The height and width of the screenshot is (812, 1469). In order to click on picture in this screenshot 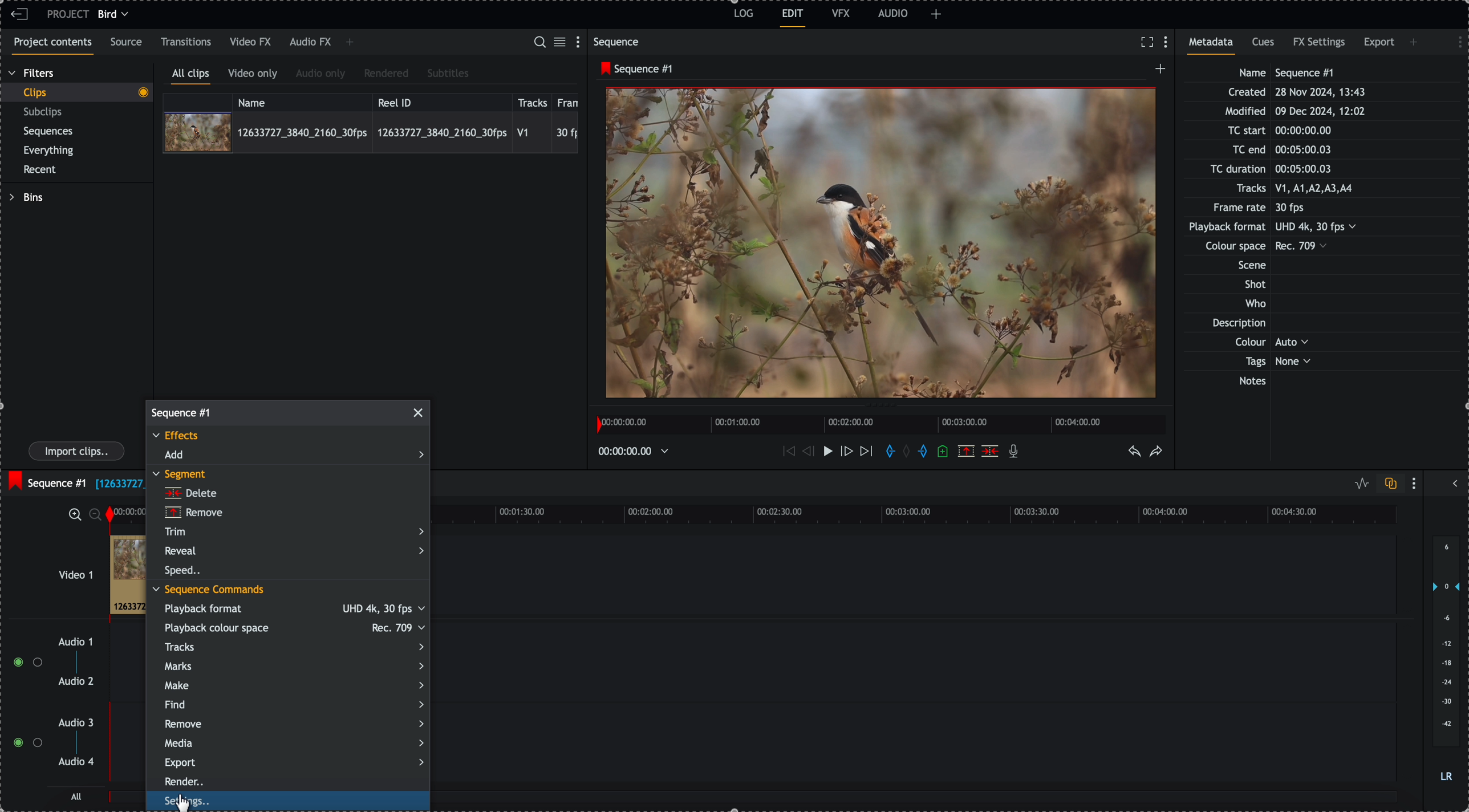, I will do `click(881, 246)`.